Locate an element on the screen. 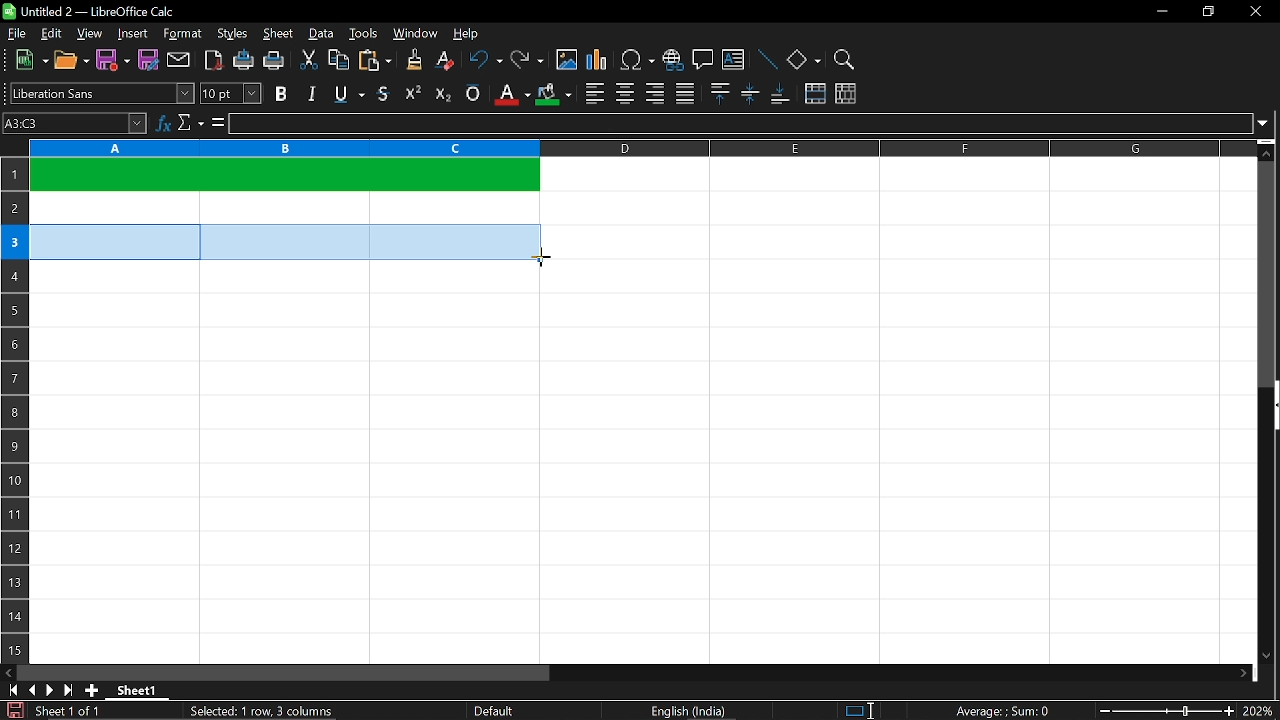 Image resolution: width=1280 pixels, height=720 pixels. justified is located at coordinates (685, 92).